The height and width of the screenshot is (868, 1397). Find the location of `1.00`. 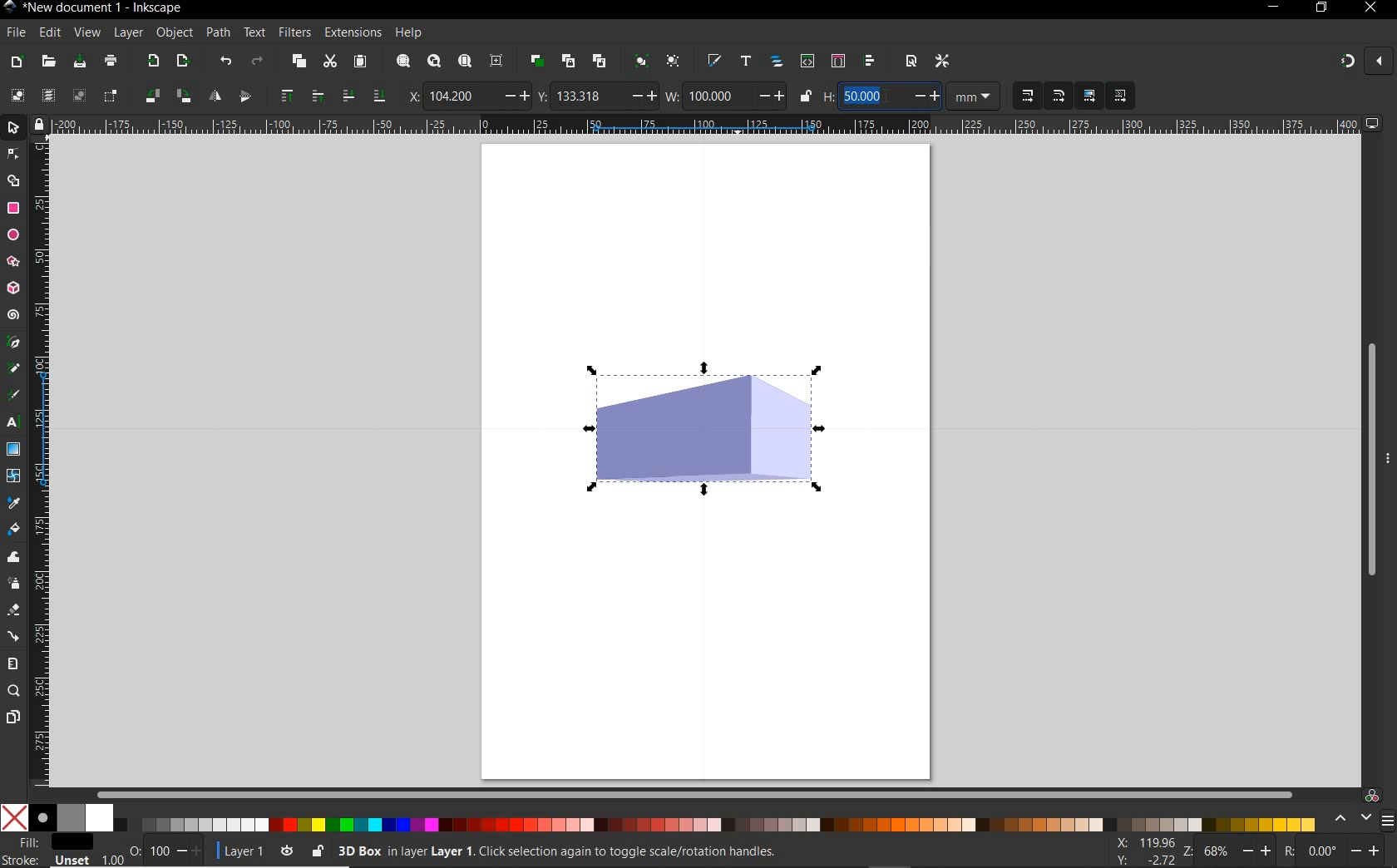

1.00 is located at coordinates (111, 858).